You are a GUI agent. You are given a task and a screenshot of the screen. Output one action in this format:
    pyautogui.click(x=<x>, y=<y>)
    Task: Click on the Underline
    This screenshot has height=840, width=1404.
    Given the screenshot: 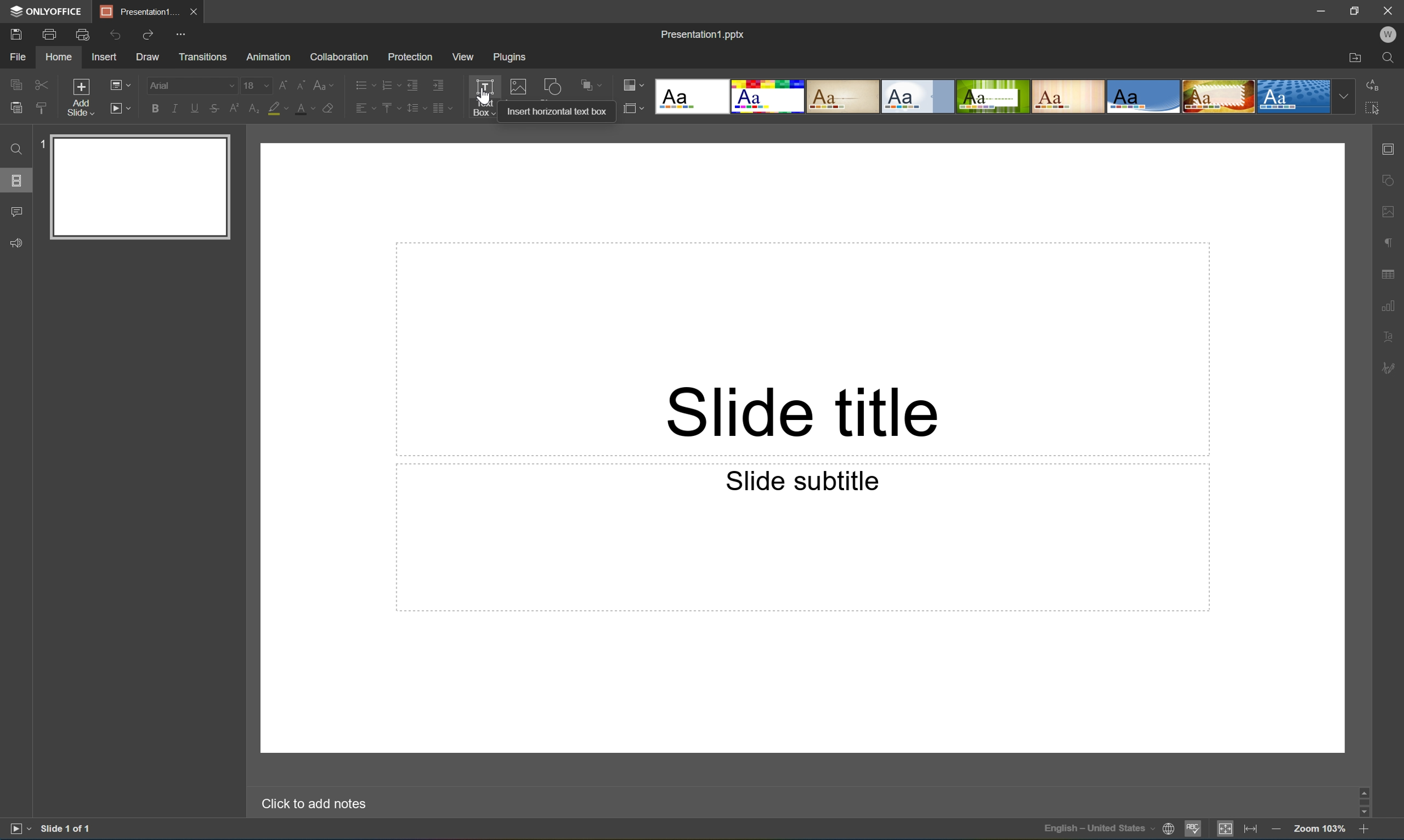 What is the action you would take?
    pyautogui.click(x=195, y=106)
    